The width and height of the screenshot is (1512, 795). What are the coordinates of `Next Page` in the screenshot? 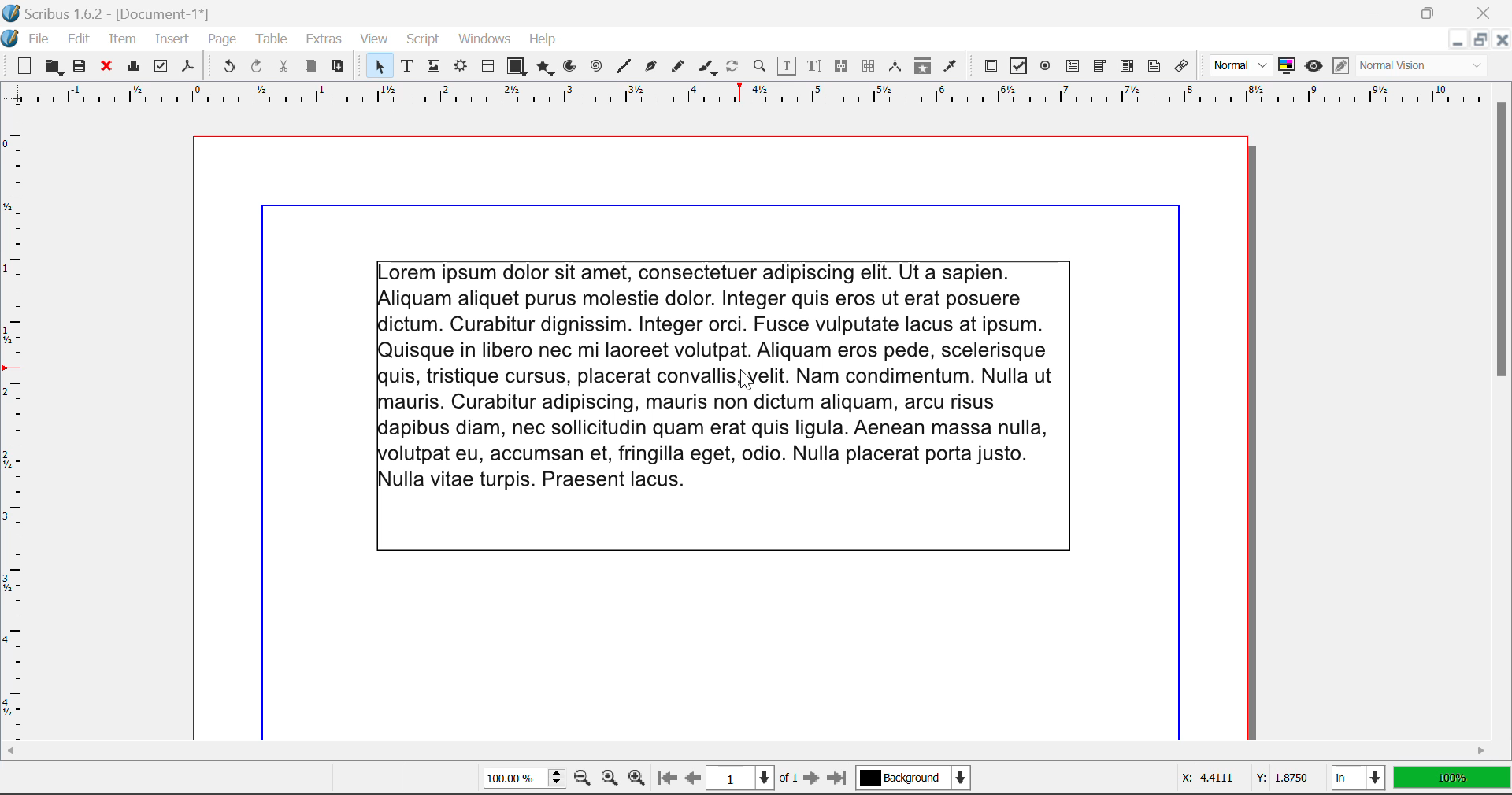 It's located at (811, 779).